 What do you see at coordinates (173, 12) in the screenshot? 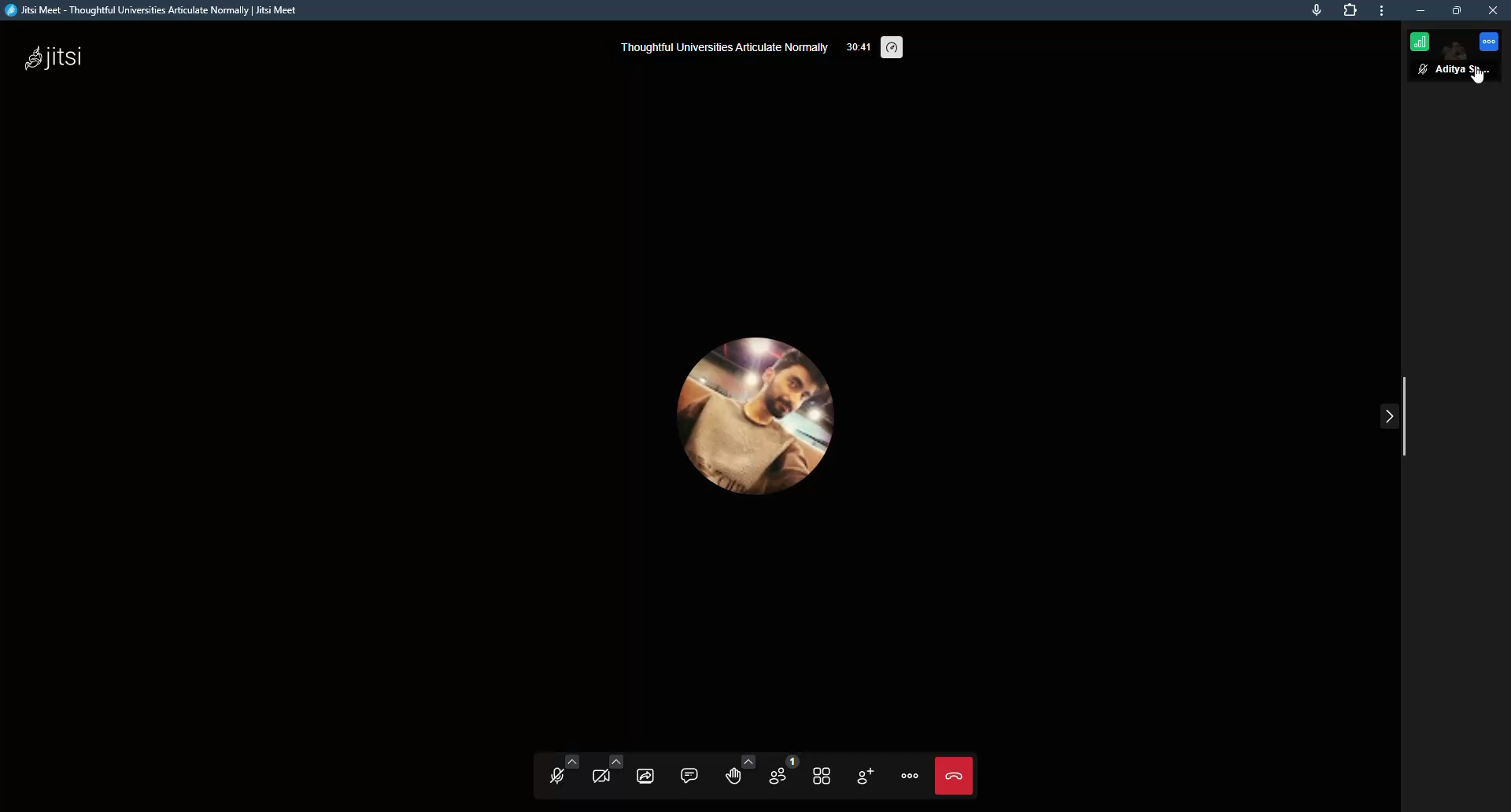
I see `Jitsi Meet - Thoughtful Universities Articulate Normally | Jitsi Meet` at bounding box center [173, 12].